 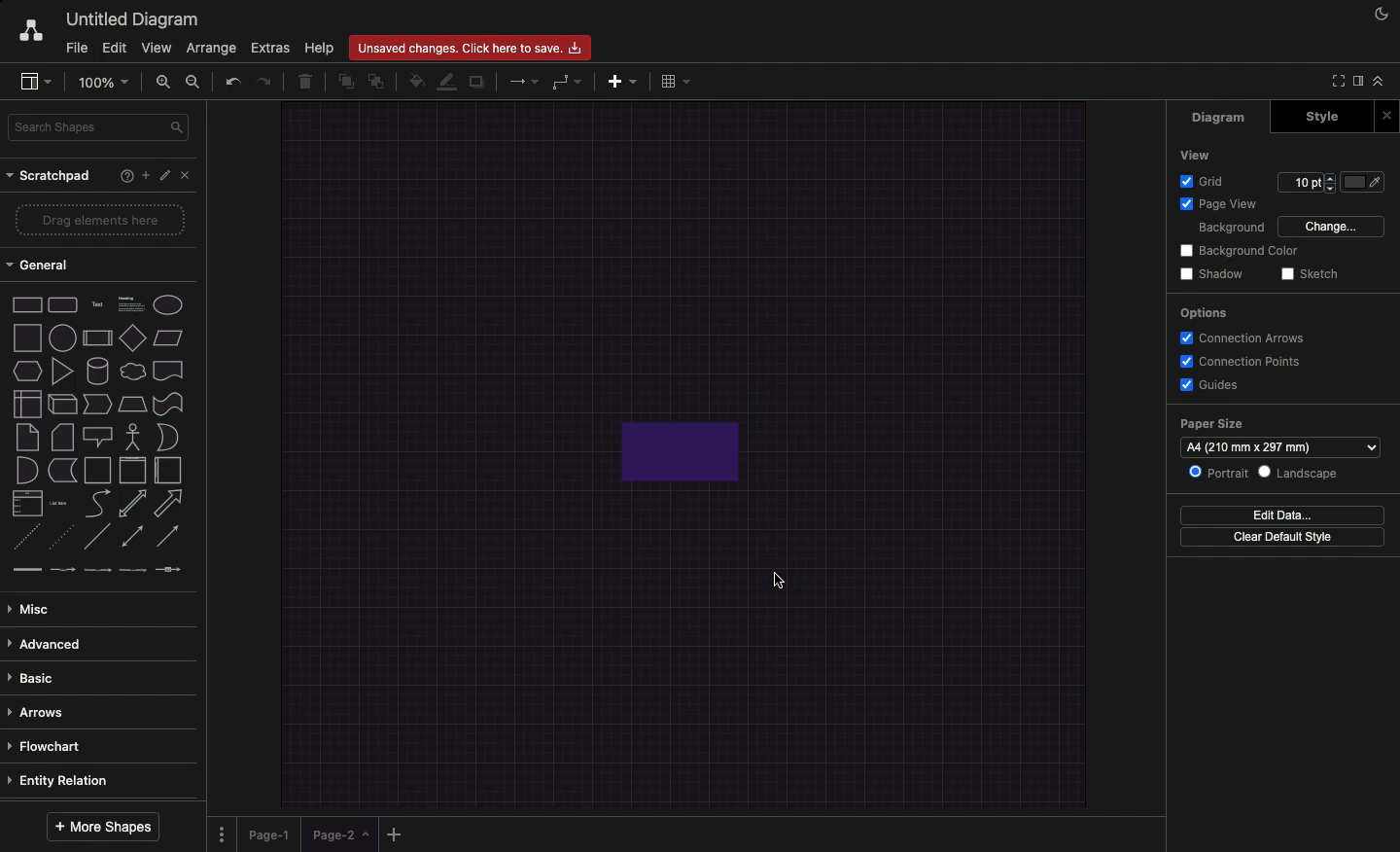 What do you see at coordinates (189, 176) in the screenshot?
I see `Close` at bounding box center [189, 176].